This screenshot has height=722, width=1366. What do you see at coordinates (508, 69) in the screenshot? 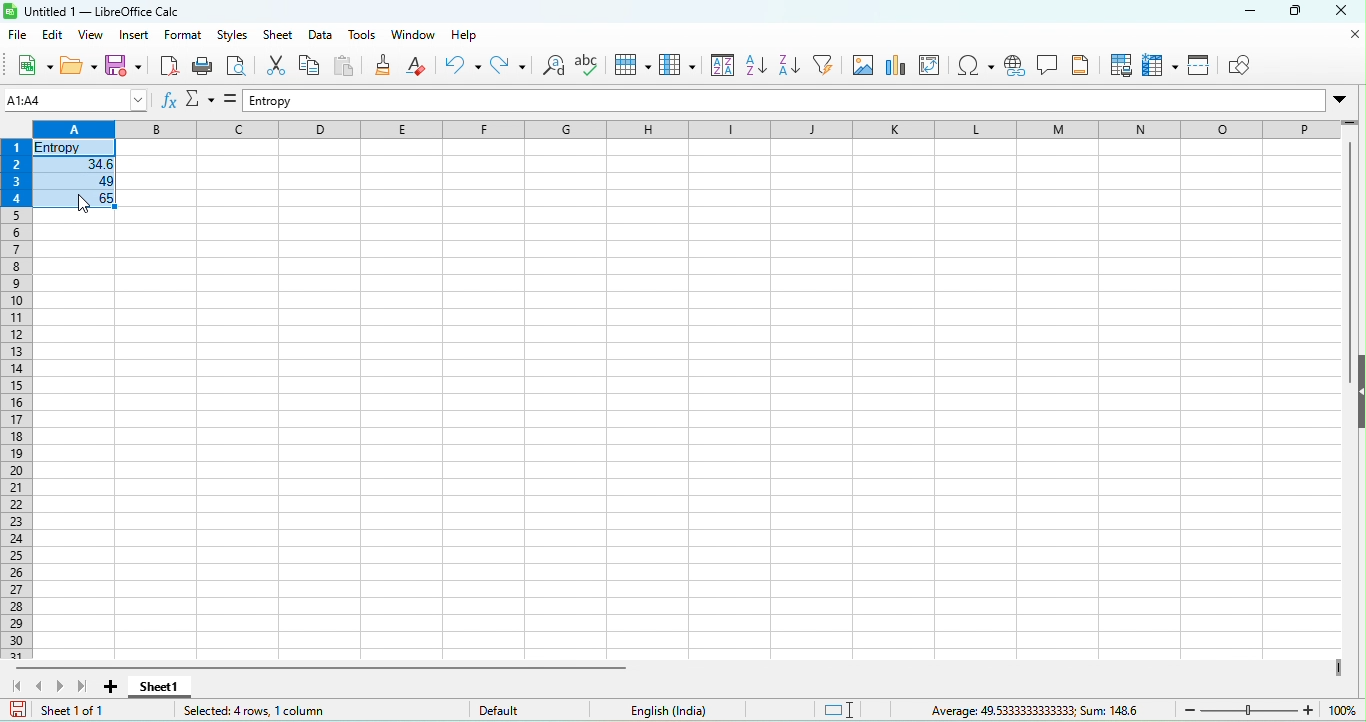
I see `redo` at bounding box center [508, 69].